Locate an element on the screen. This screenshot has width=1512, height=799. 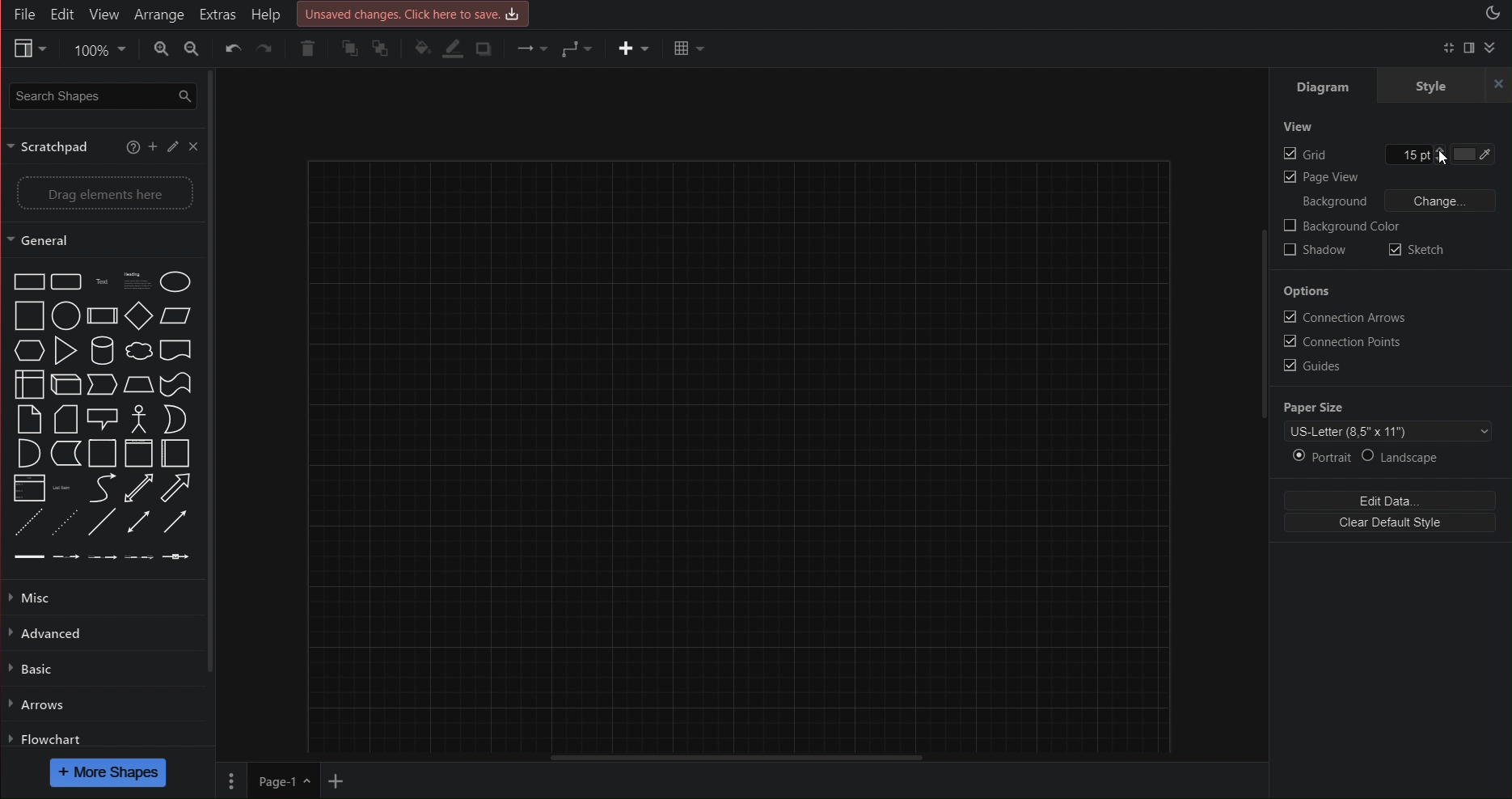
Basic is located at coordinates (35, 668).